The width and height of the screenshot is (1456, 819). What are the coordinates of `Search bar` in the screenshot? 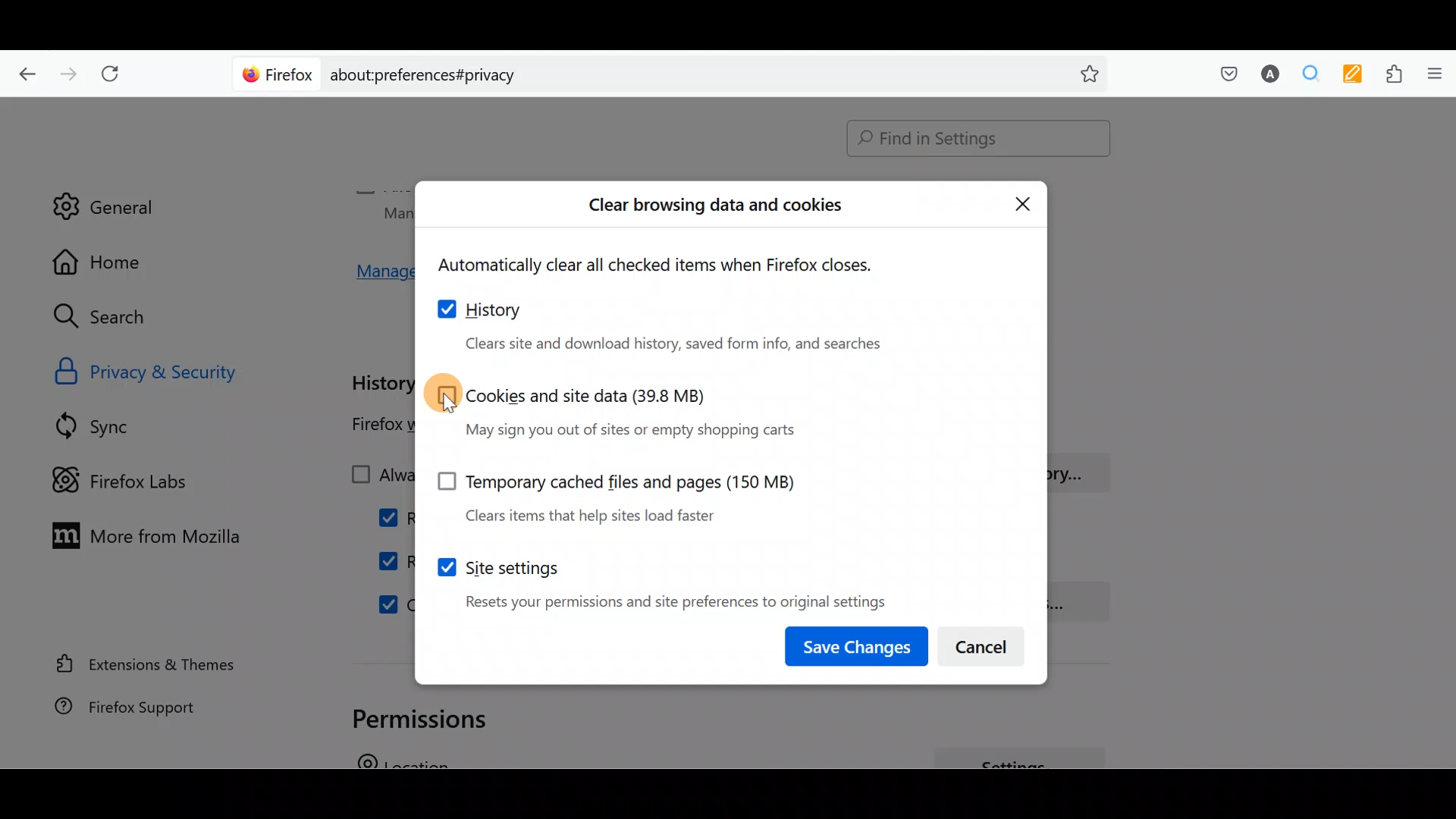 It's located at (675, 72).